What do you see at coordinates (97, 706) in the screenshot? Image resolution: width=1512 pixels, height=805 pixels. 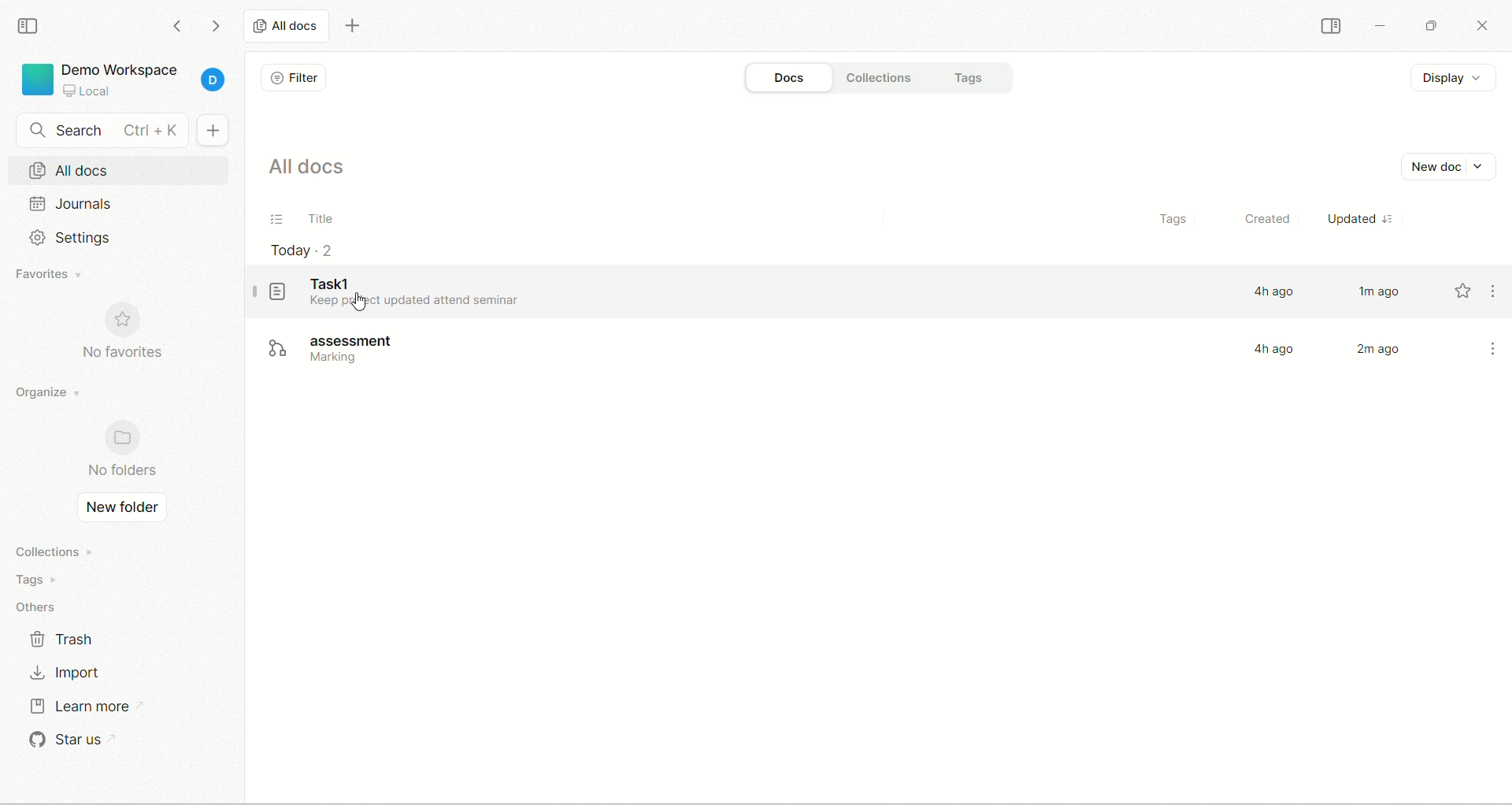 I see `learn more` at bounding box center [97, 706].